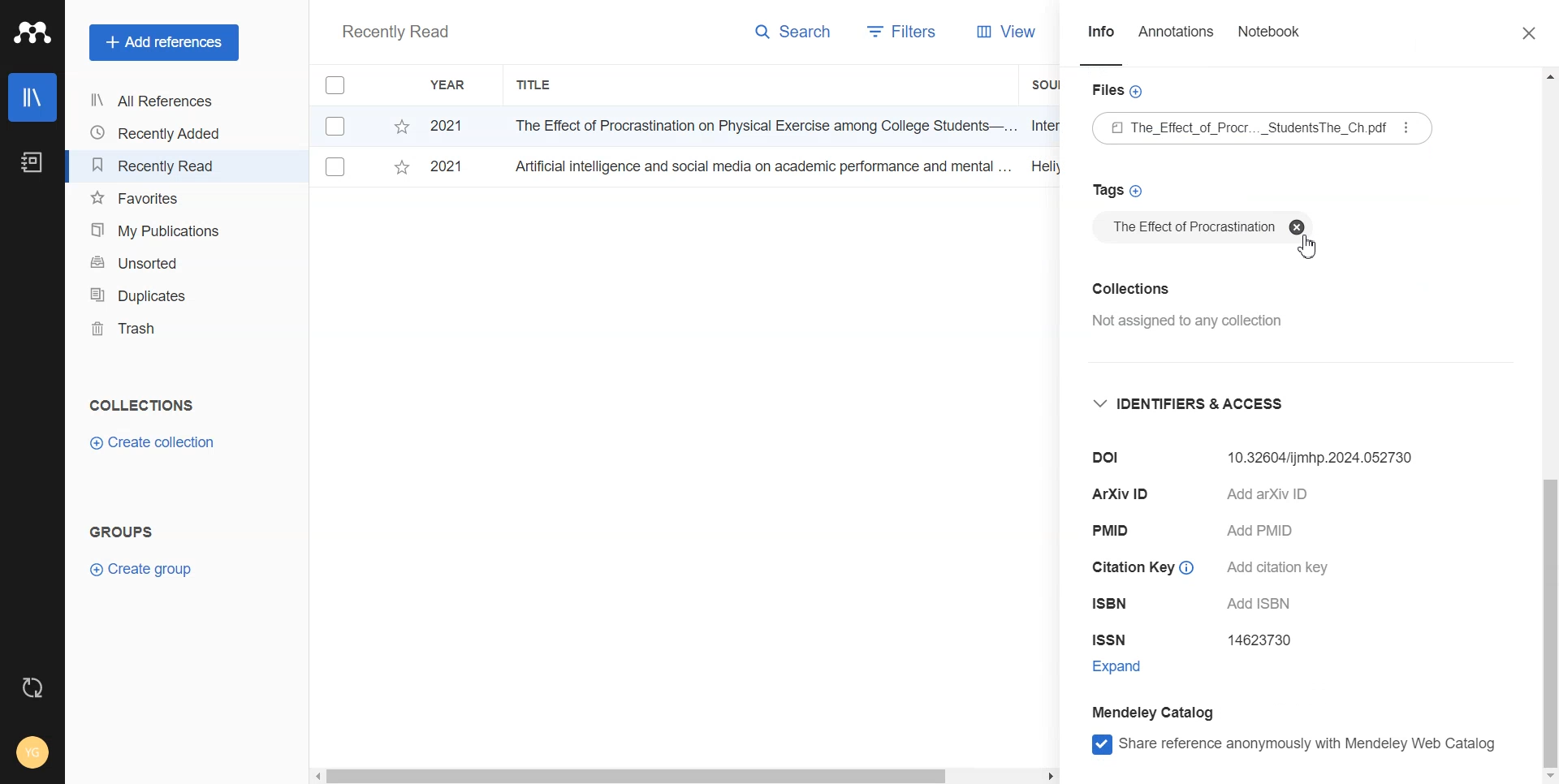 This screenshot has height=784, width=1559. Describe the element at coordinates (1178, 44) in the screenshot. I see `Annotations` at that location.